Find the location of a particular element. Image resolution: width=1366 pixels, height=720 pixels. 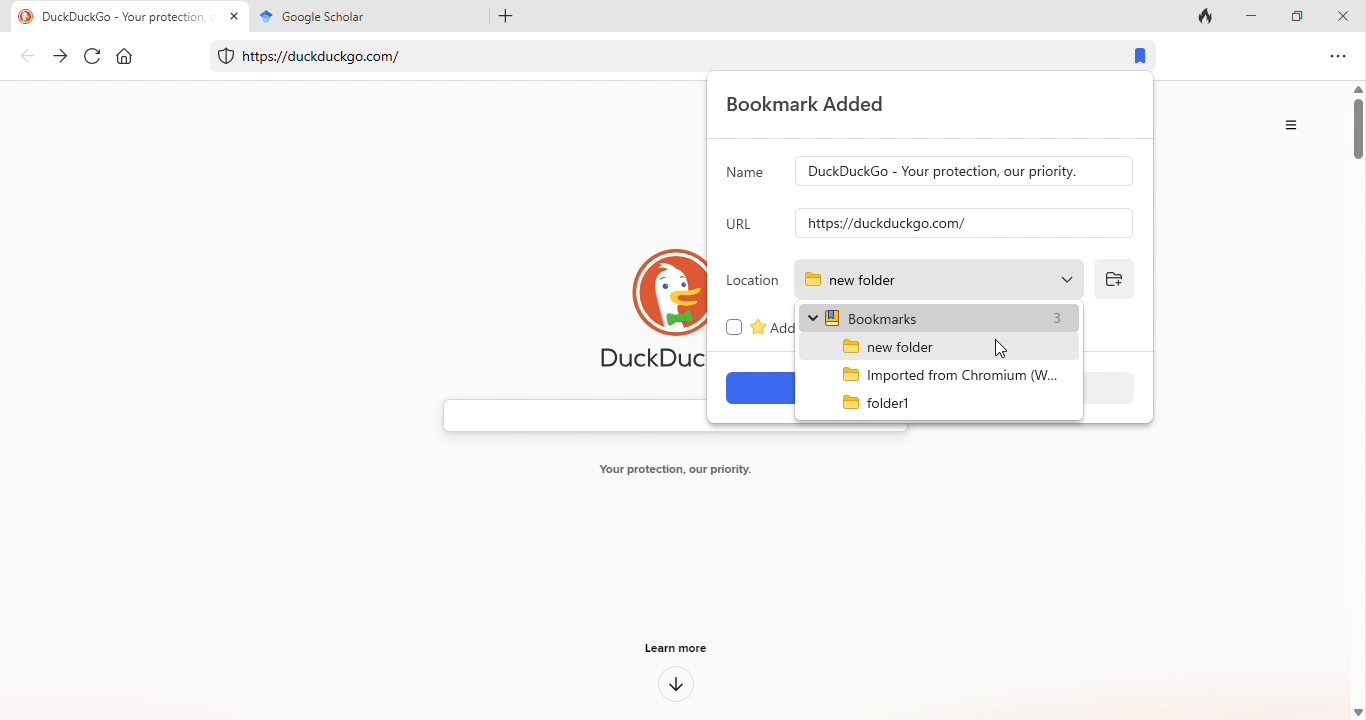

title is located at coordinates (362, 15).